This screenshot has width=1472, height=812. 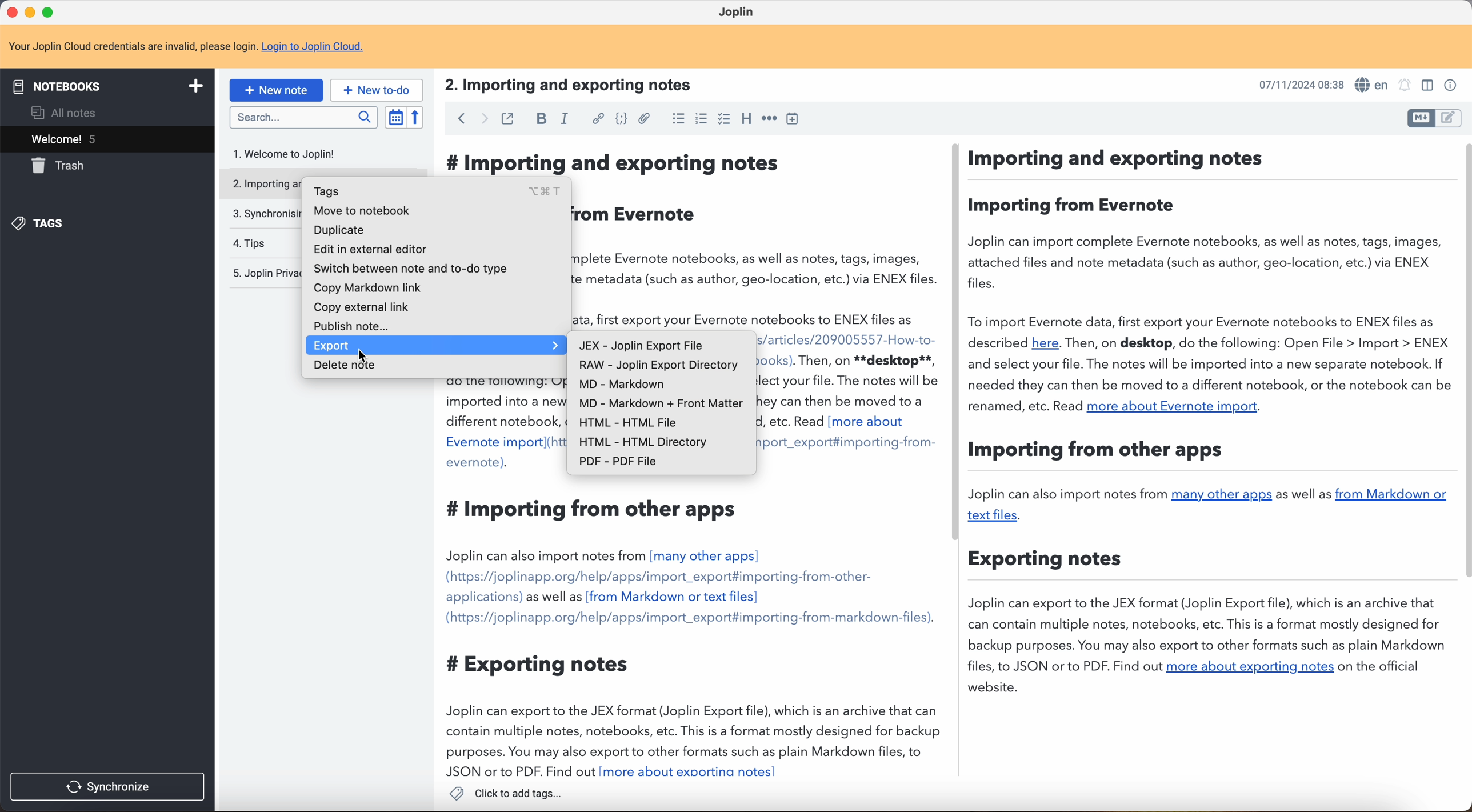 I want to click on PDF - PDF File, so click(x=617, y=462).